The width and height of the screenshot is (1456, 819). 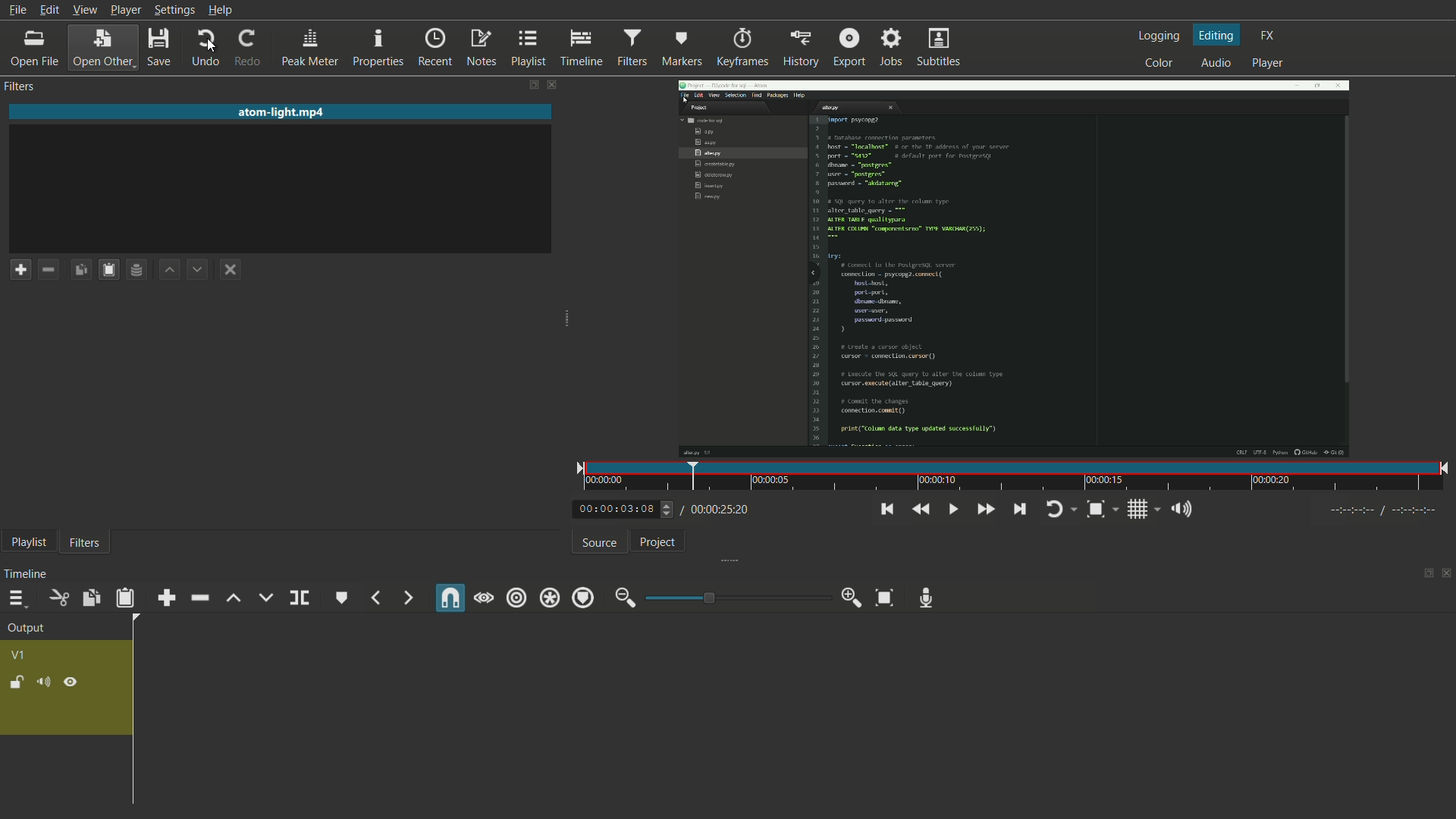 I want to click on Unlock, so click(x=16, y=684).